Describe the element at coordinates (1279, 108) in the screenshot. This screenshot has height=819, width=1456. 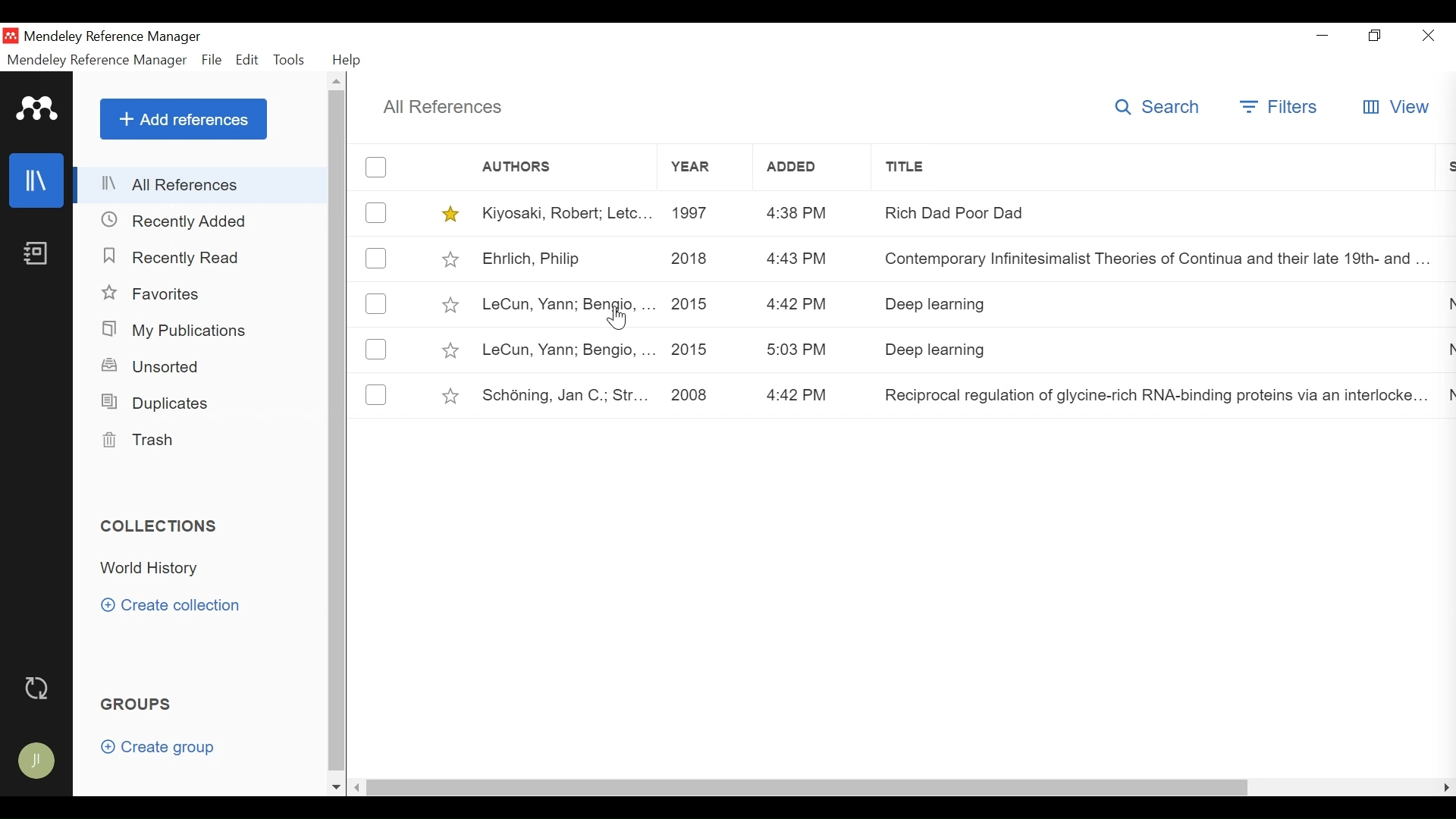
I see `Filters` at that location.